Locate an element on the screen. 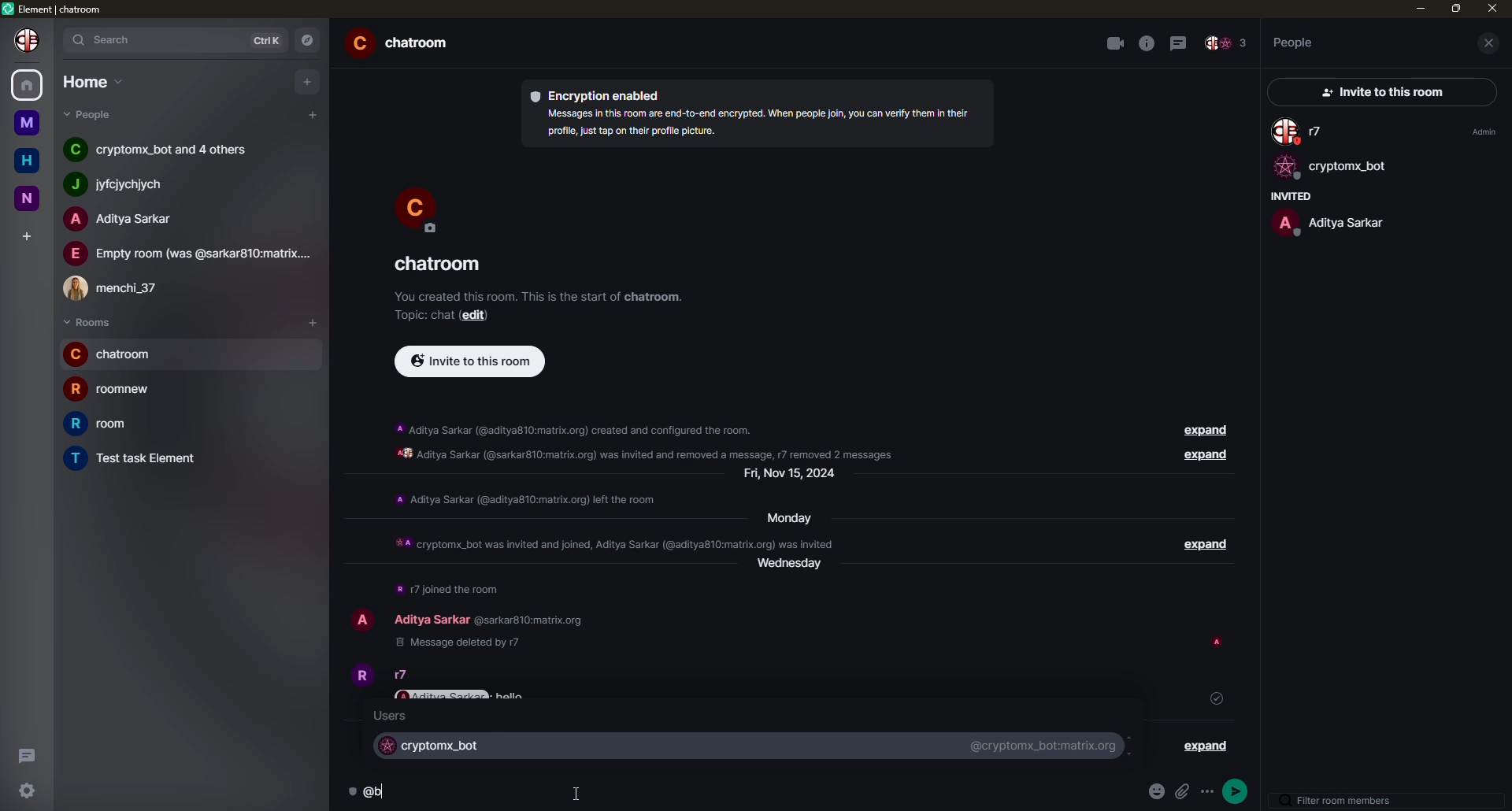 Image resolution: width=1512 pixels, height=811 pixels. info is located at coordinates (539, 295).